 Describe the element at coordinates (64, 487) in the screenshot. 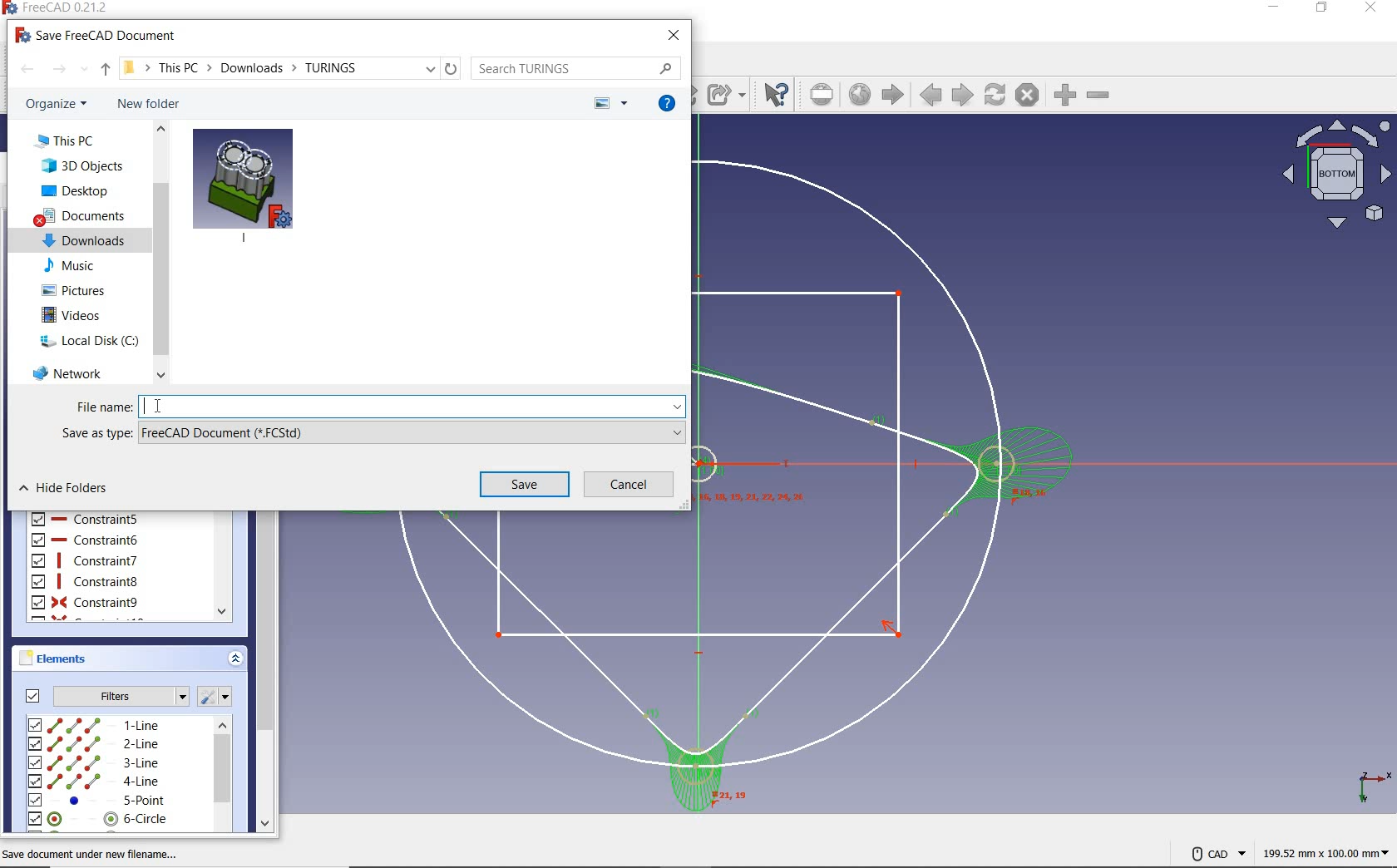

I see `hide folders` at that location.